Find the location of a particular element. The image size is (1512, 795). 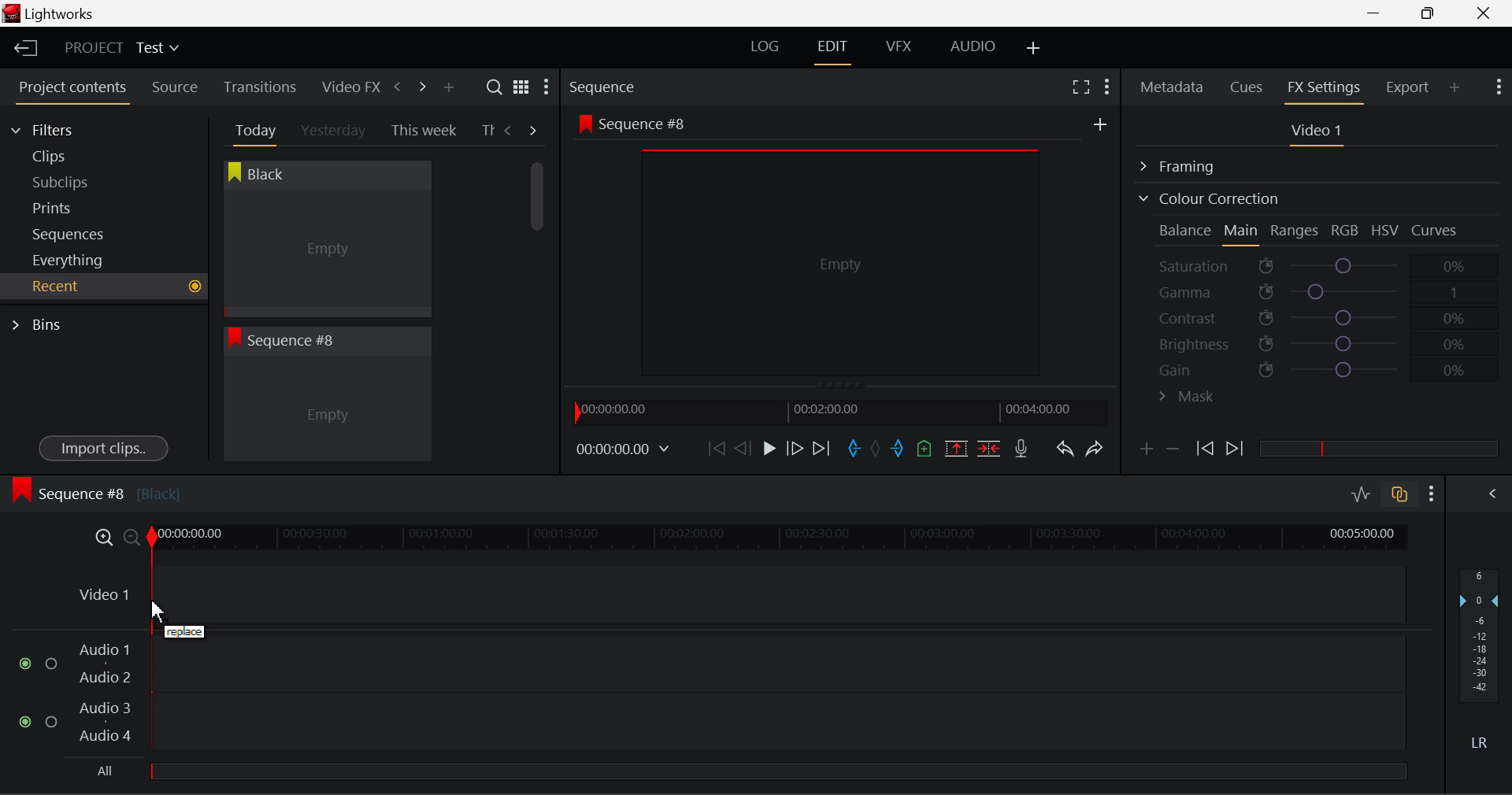

Gamma is located at coordinates (1320, 292).